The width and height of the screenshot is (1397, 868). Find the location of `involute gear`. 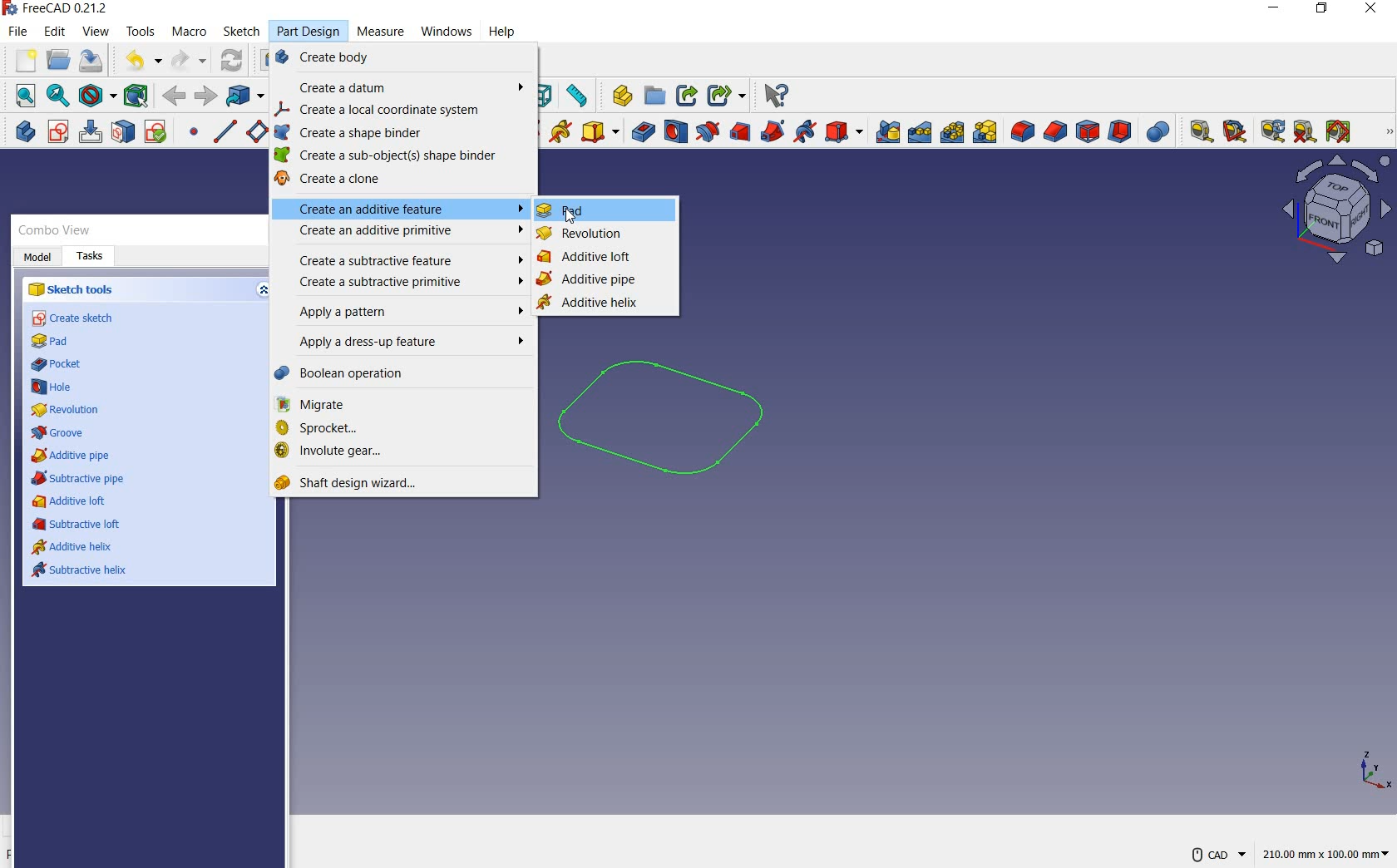

involute gear is located at coordinates (398, 452).